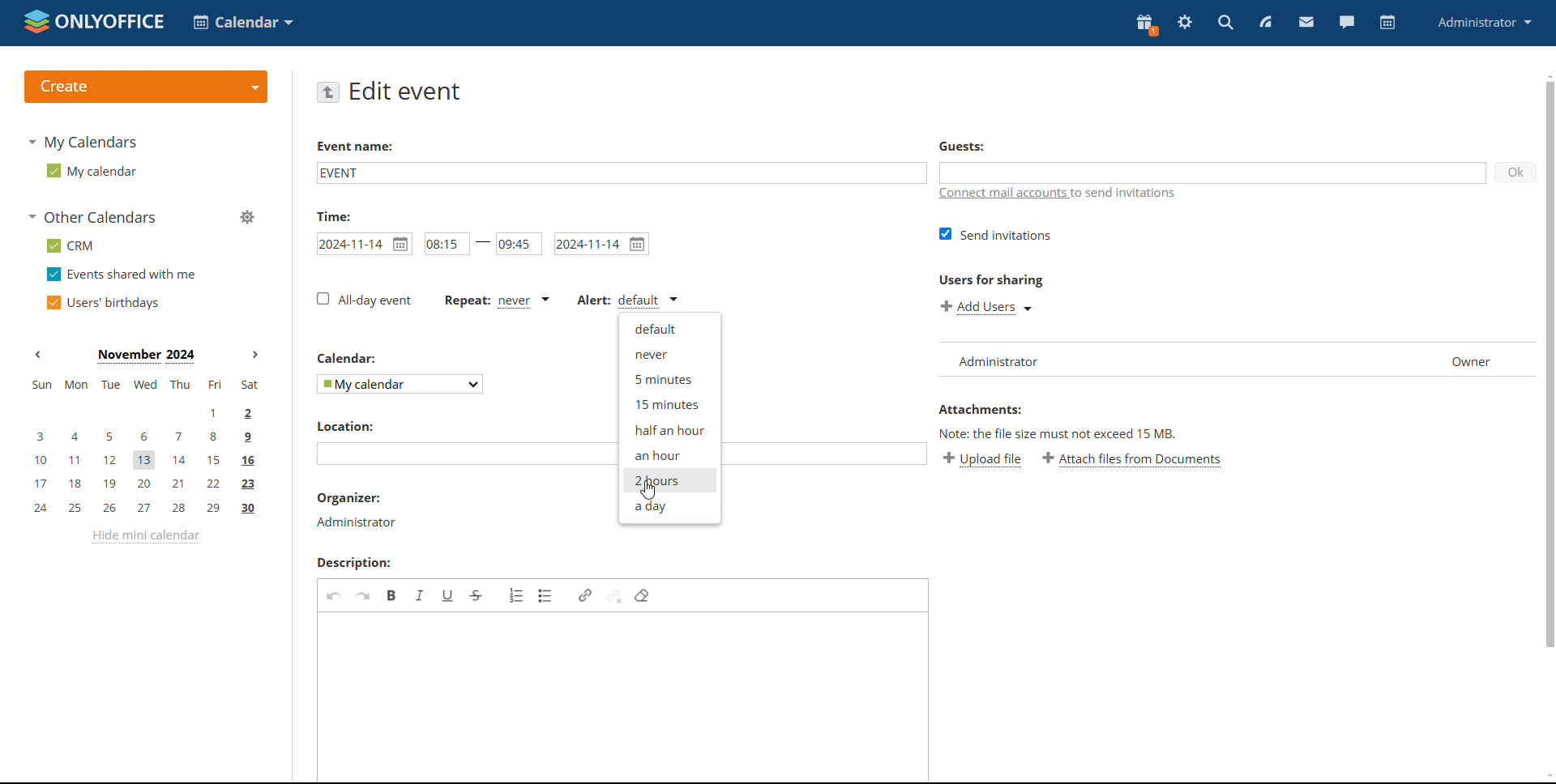 This screenshot has height=784, width=1556. Describe the element at coordinates (144, 356) in the screenshot. I see `current month` at that location.